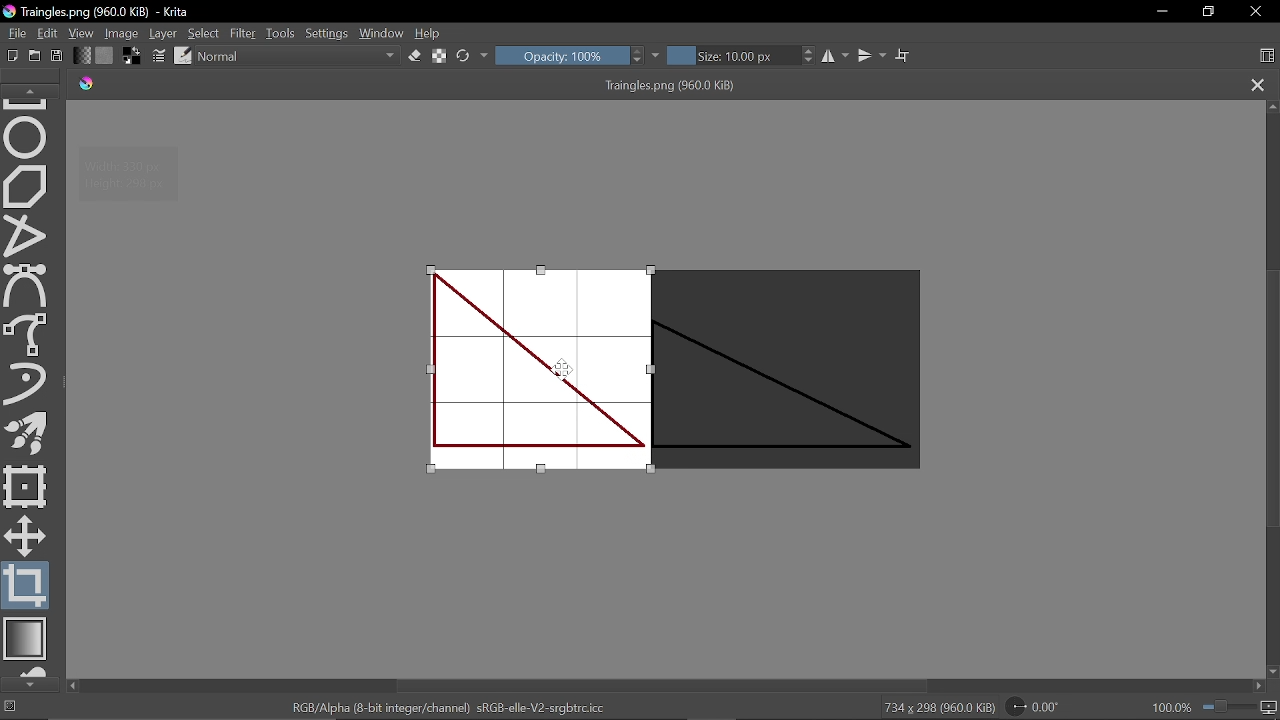 This screenshot has height=720, width=1280. I want to click on Move right, so click(1262, 688).